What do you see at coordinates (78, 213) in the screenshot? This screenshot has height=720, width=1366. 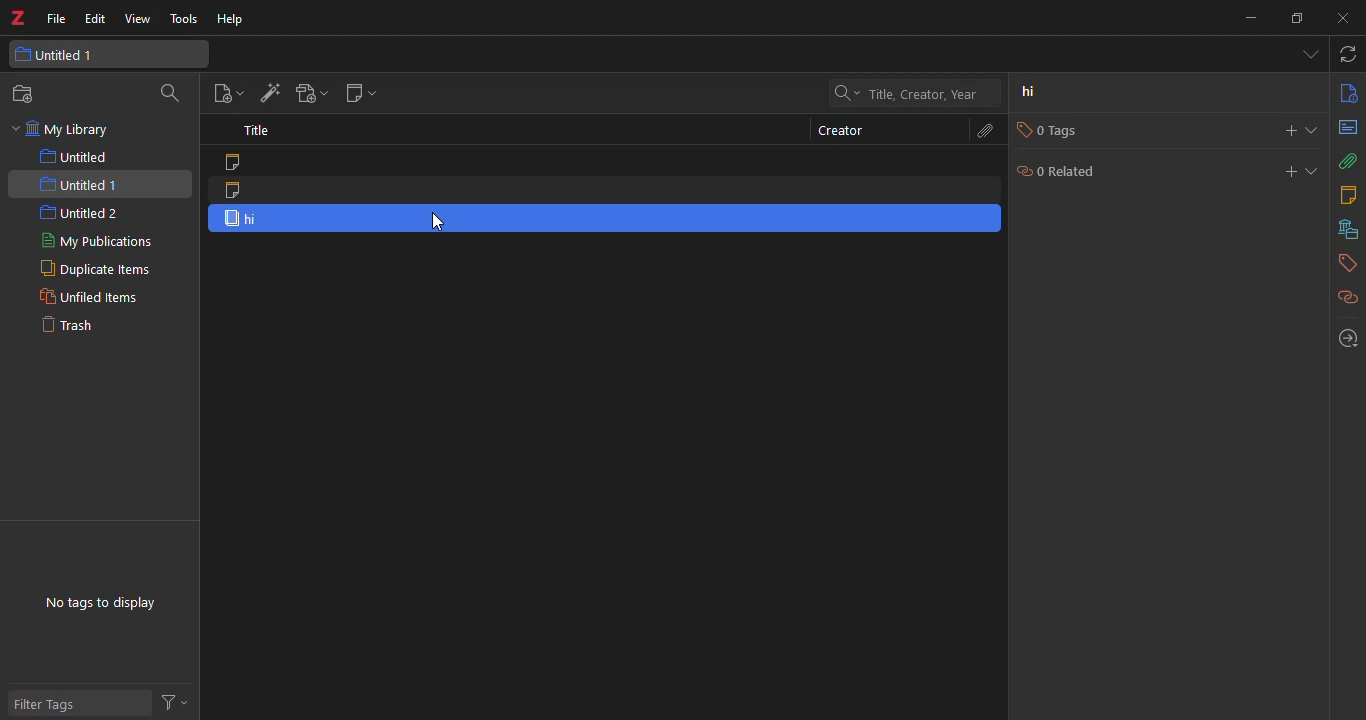 I see `untitled 2` at bounding box center [78, 213].